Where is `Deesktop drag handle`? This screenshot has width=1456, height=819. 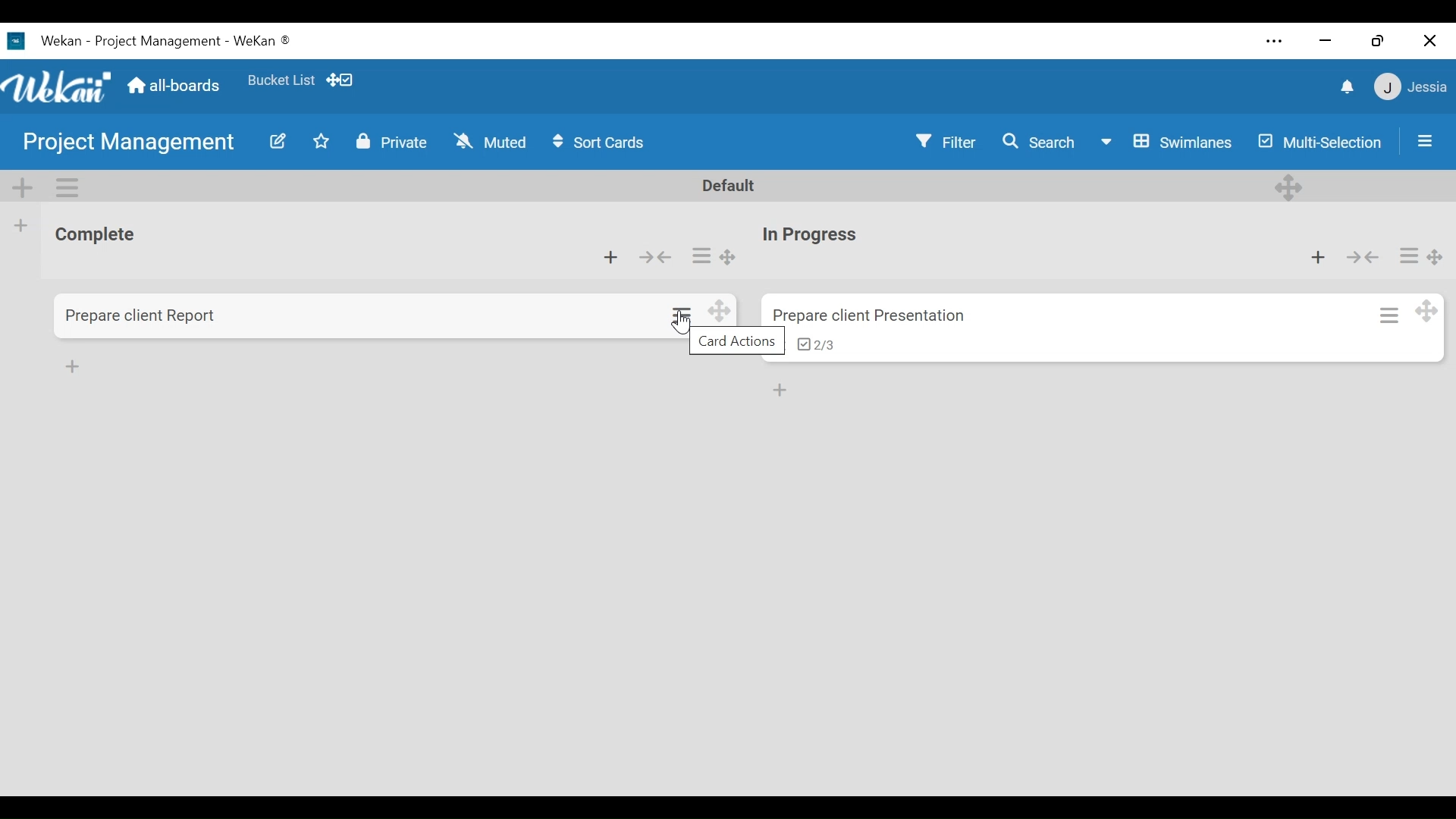
Deesktop drag handle is located at coordinates (1289, 187).